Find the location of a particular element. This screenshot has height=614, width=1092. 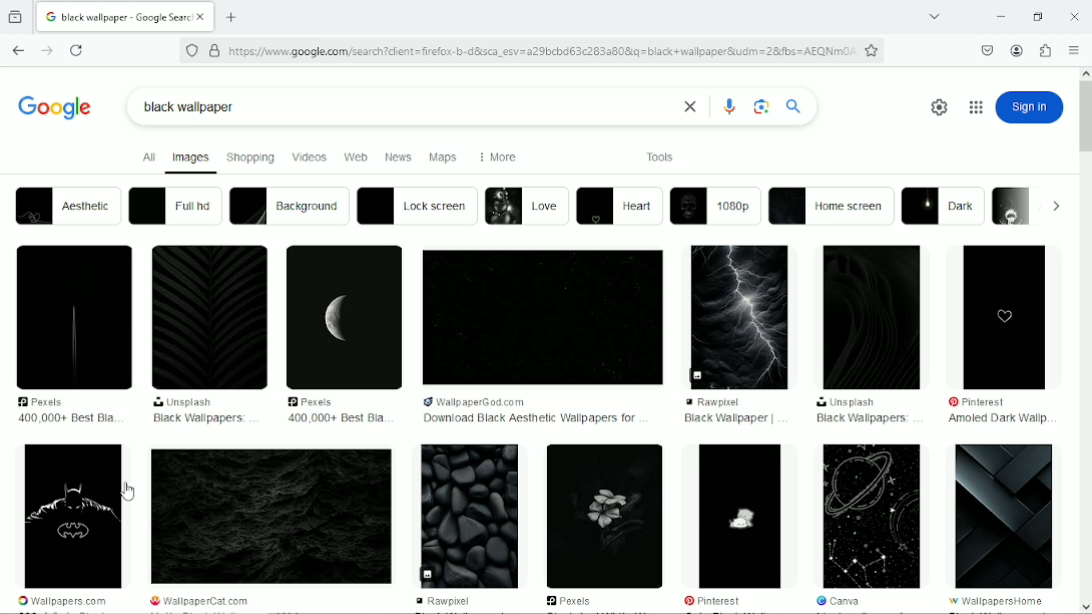

pexels is located at coordinates (572, 602).